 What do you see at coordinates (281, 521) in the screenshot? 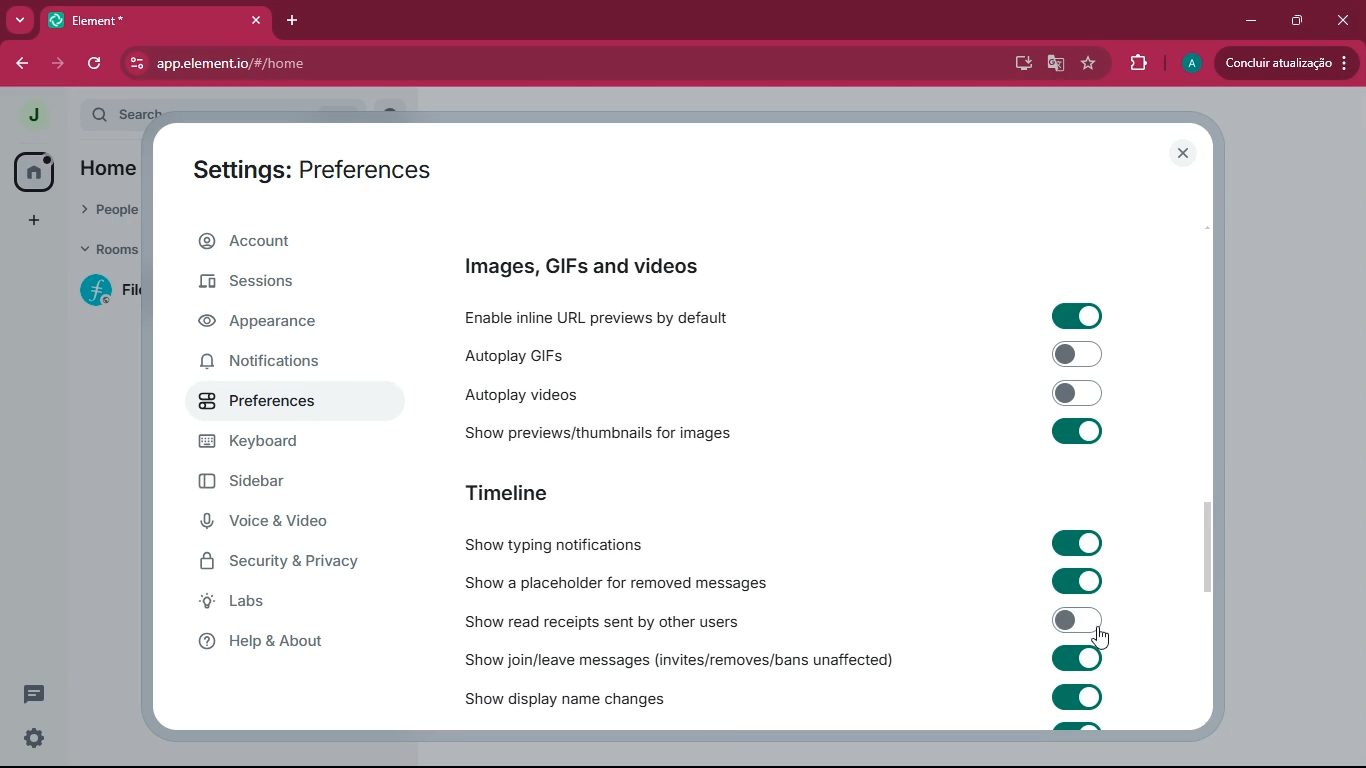
I see `voice & video` at bounding box center [281, 521].